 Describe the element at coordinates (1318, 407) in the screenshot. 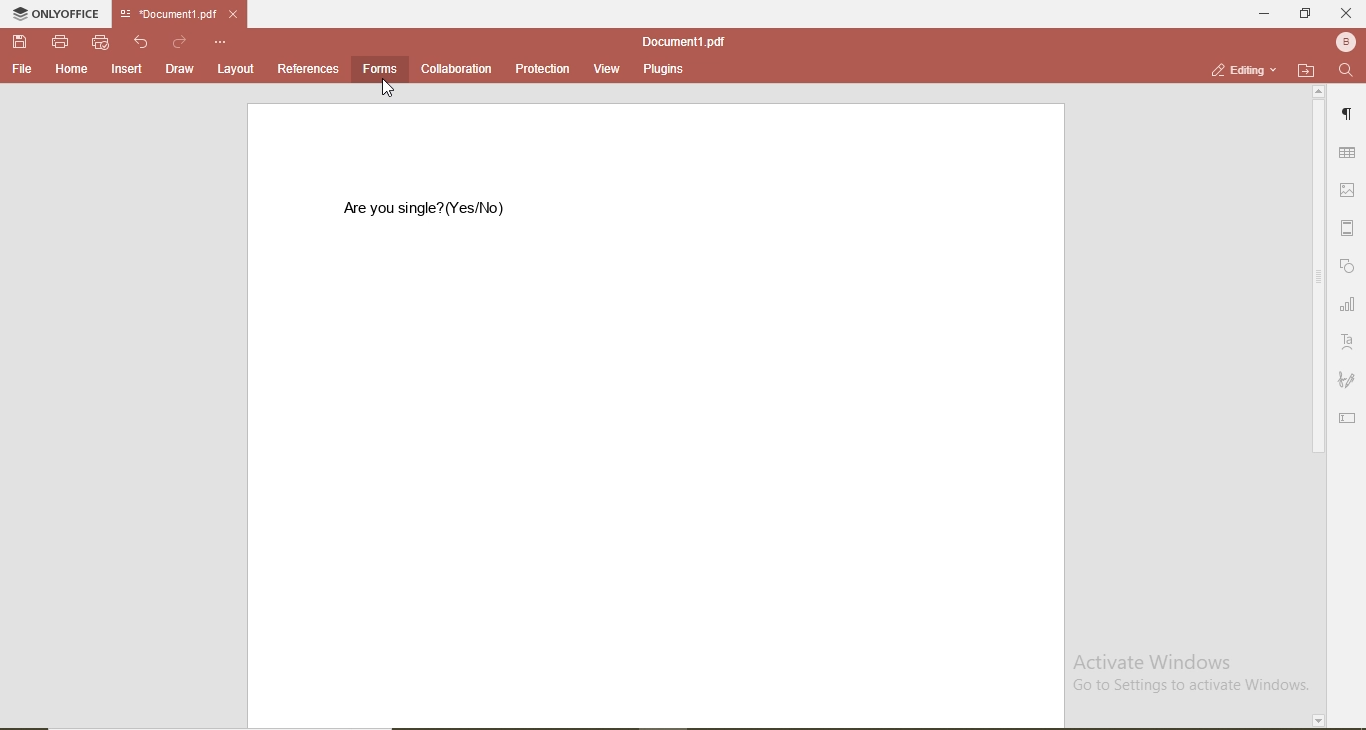

I see `scroll bar` at that location.